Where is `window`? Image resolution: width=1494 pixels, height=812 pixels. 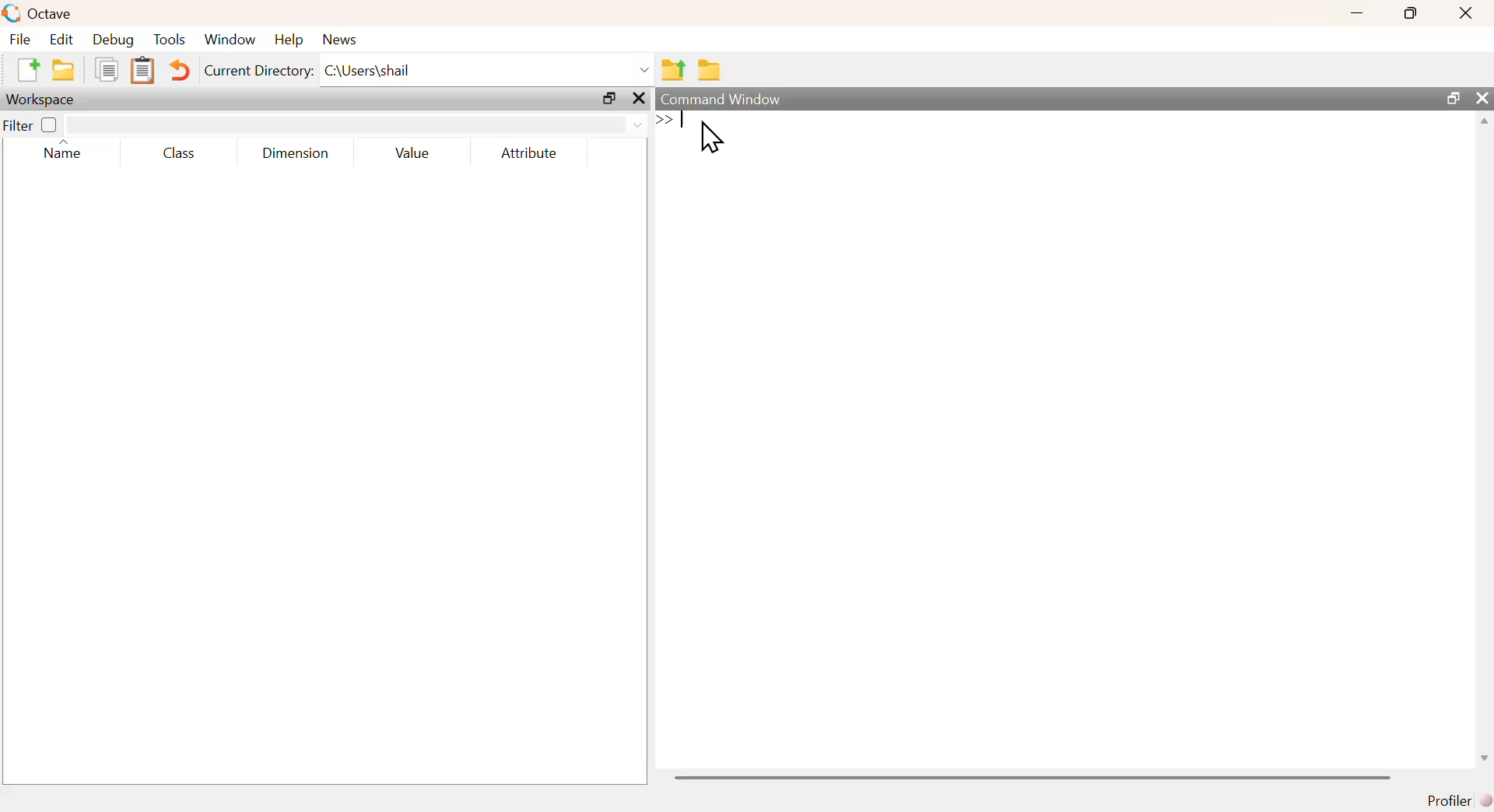 window is located at coordinates (232, 39).